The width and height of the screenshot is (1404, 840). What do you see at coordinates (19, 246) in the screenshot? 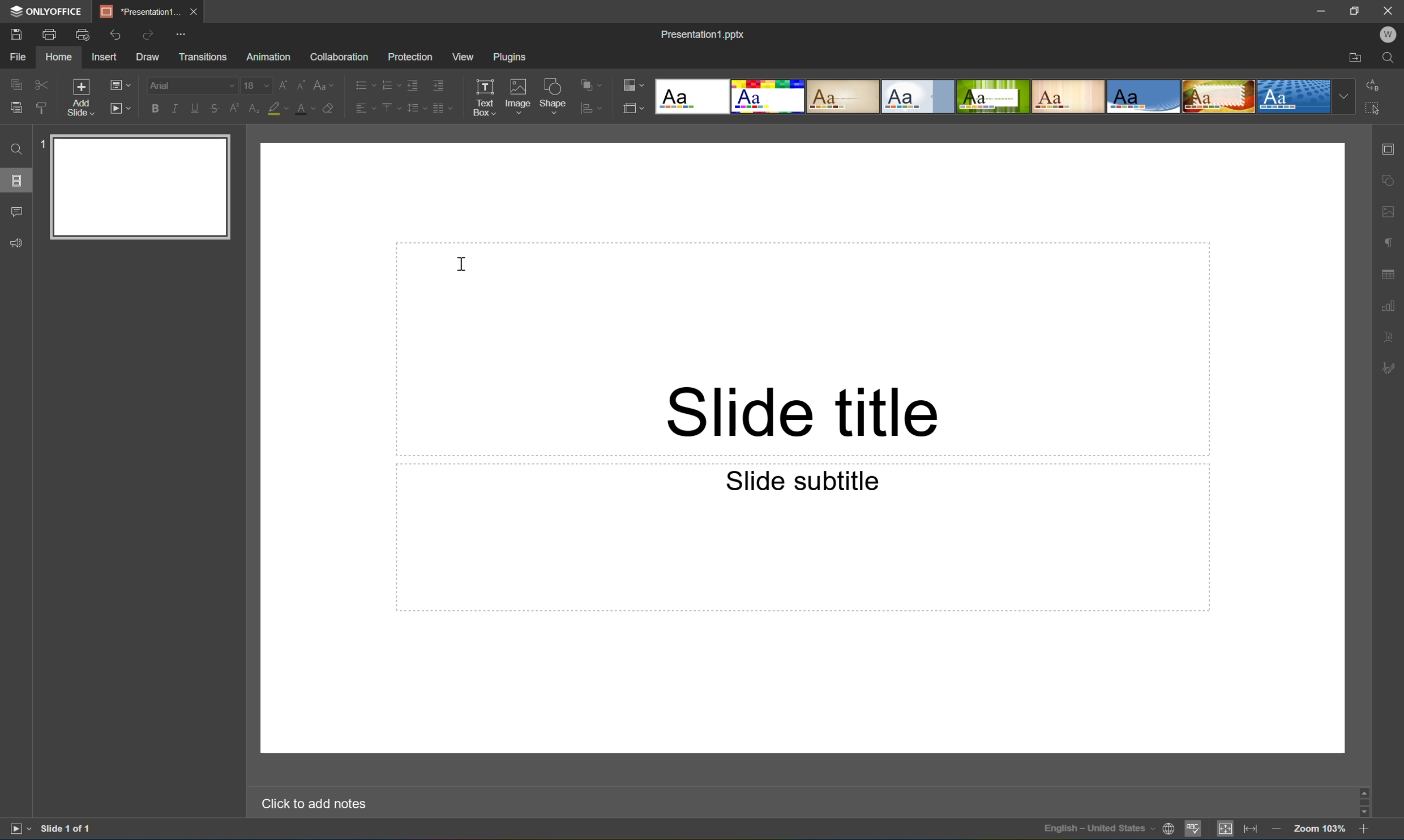
I see `Feedback and Support` at bounding box center [19, 246].